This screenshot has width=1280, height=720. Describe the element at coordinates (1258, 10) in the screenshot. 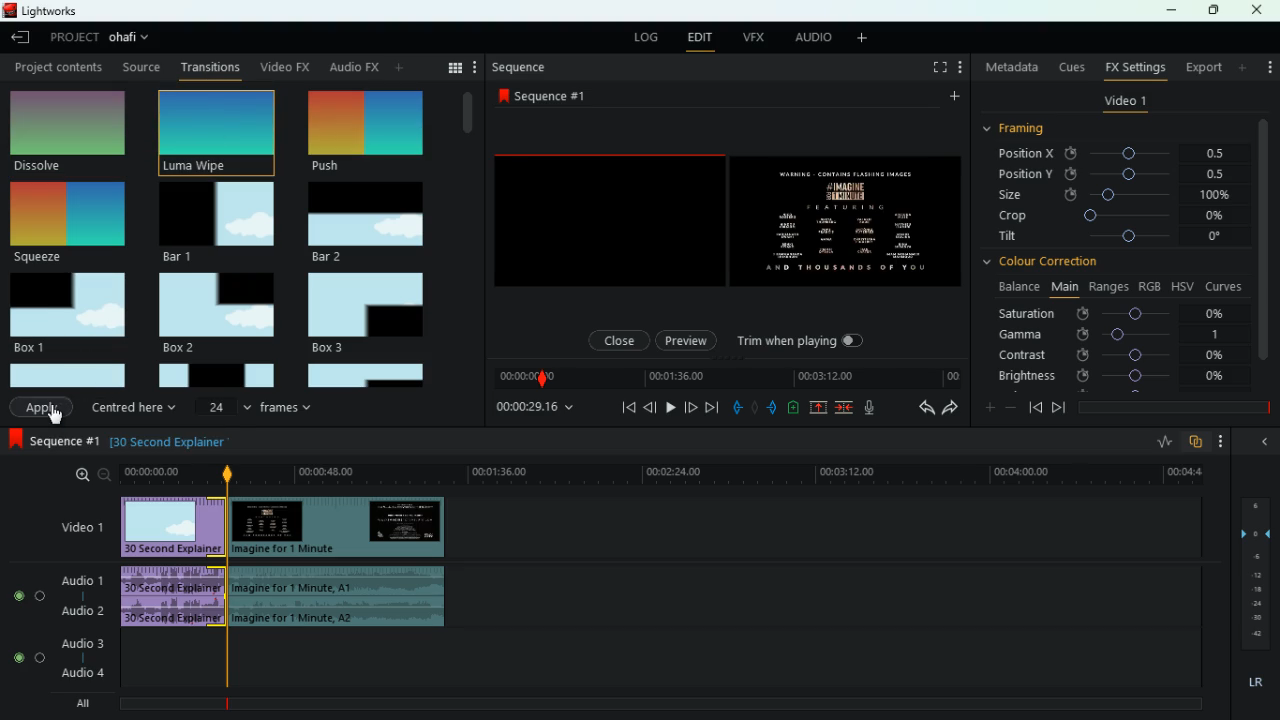

I see `close` at that location.